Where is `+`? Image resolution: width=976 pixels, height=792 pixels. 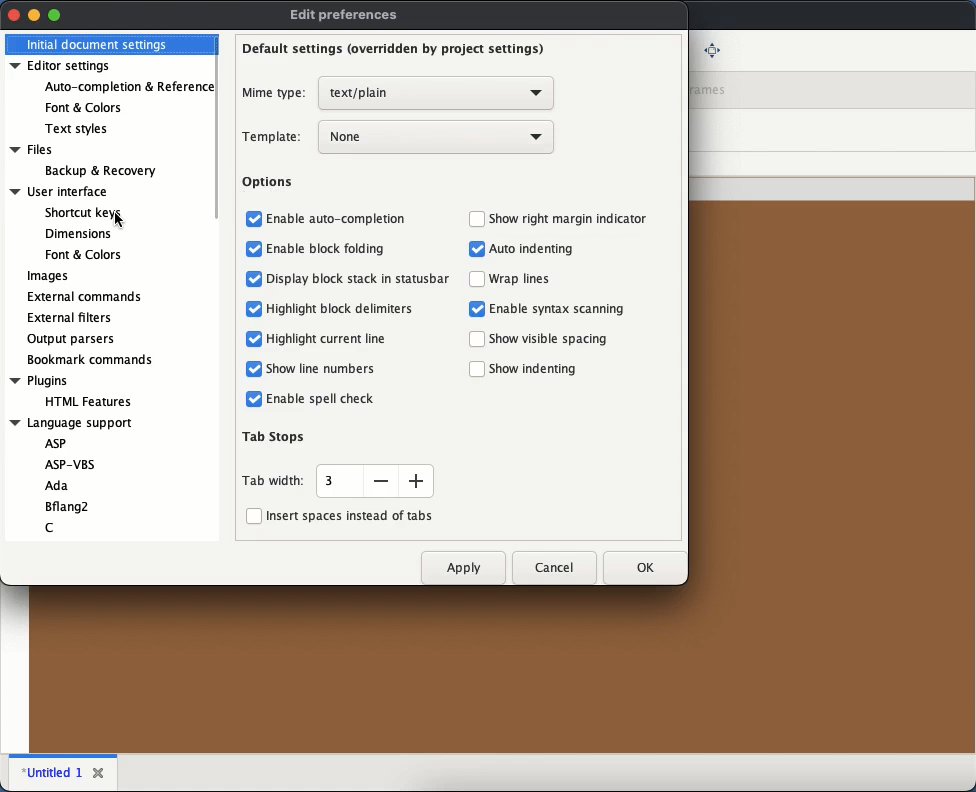 + is located at coordinates (418, 479).